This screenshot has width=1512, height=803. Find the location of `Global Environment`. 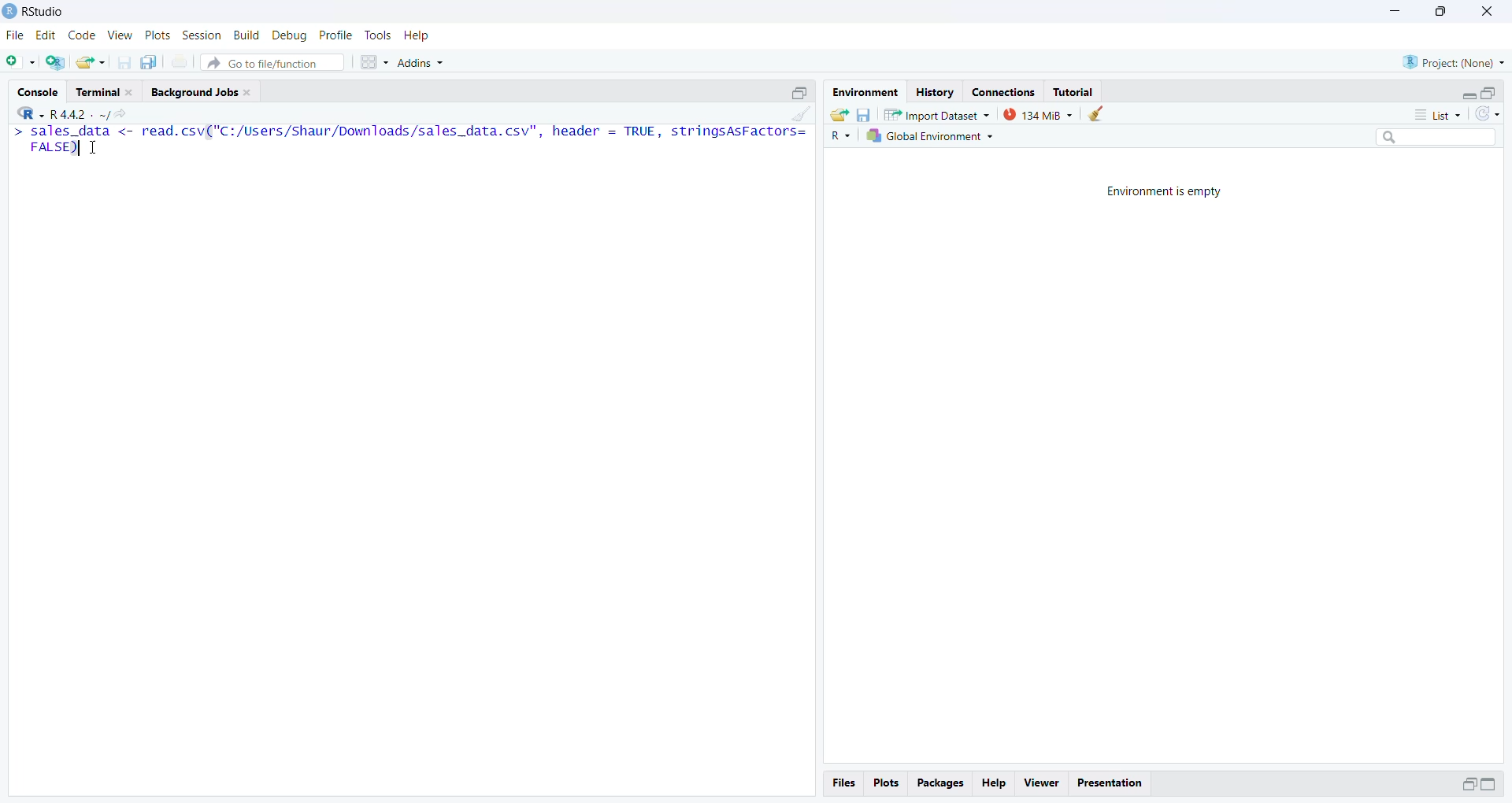

Global Environment is located at coordinates (932, 139).